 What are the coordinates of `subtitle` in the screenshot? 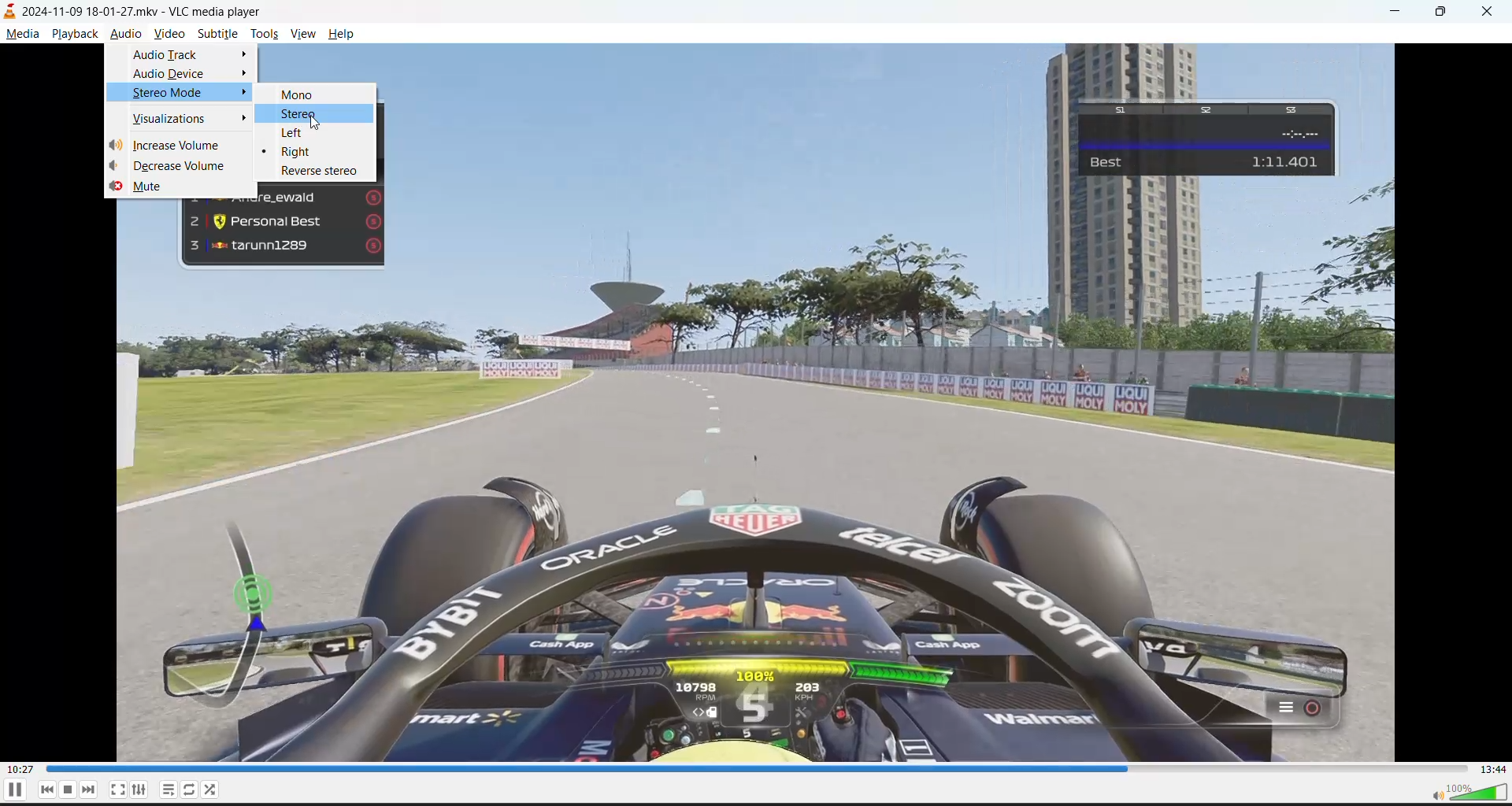 It's located at (220, 35).